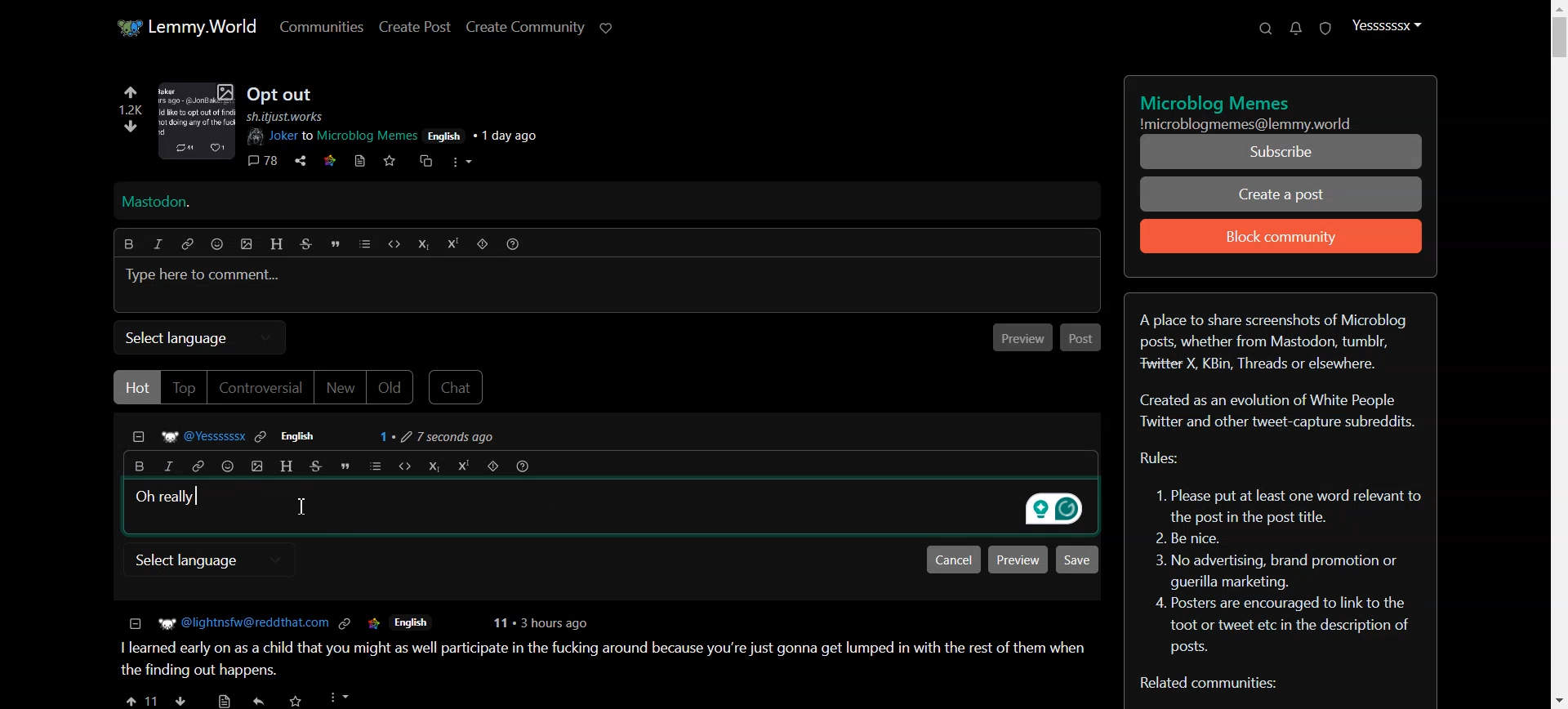  What do you see at coordinates (423, 244) in the screenshot?
I see `Subscript` at bounding box center [423, 244].